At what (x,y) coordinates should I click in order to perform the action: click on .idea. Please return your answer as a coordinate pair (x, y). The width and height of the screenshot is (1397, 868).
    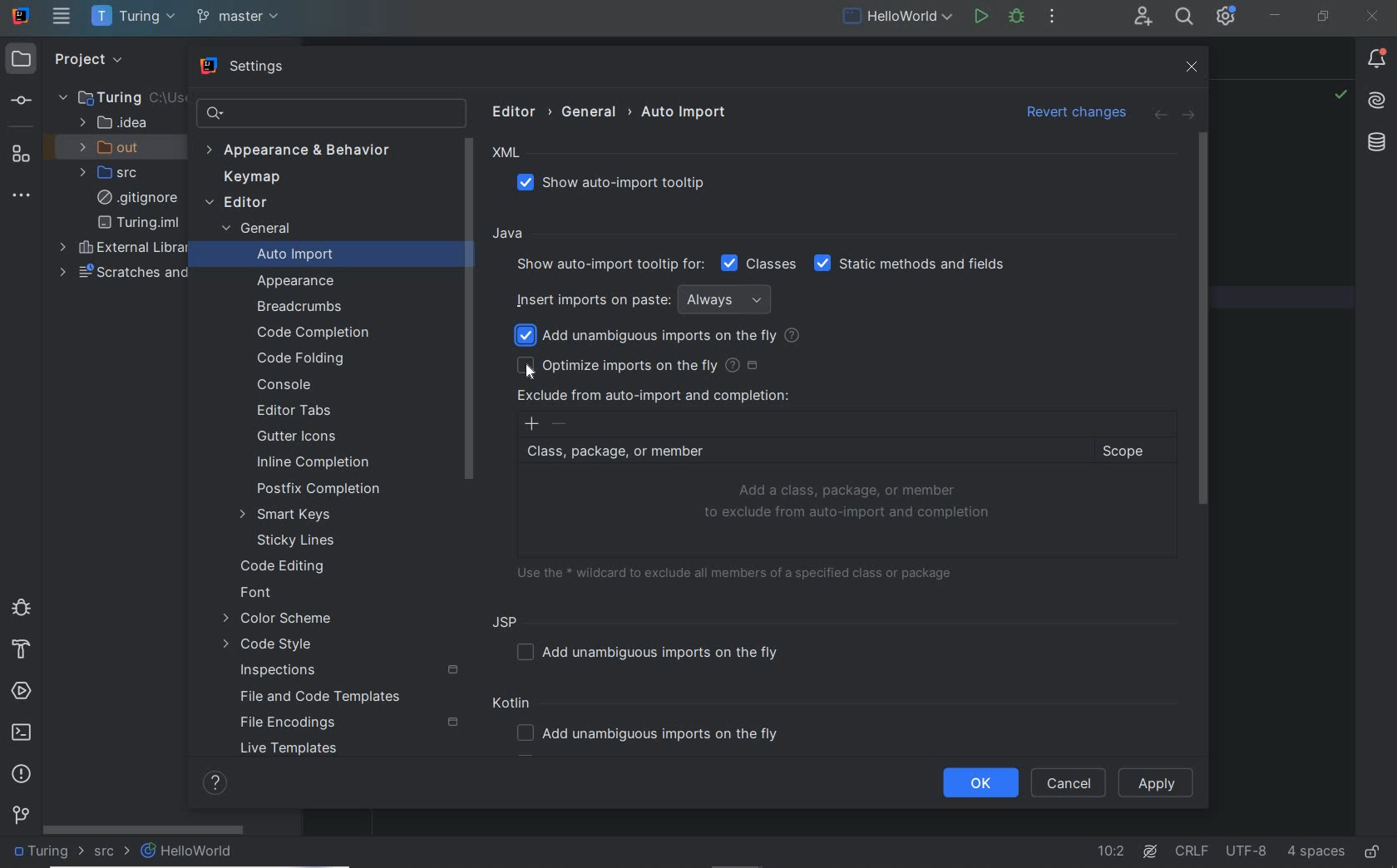
    Looking at the image, I should click on (114, 123).